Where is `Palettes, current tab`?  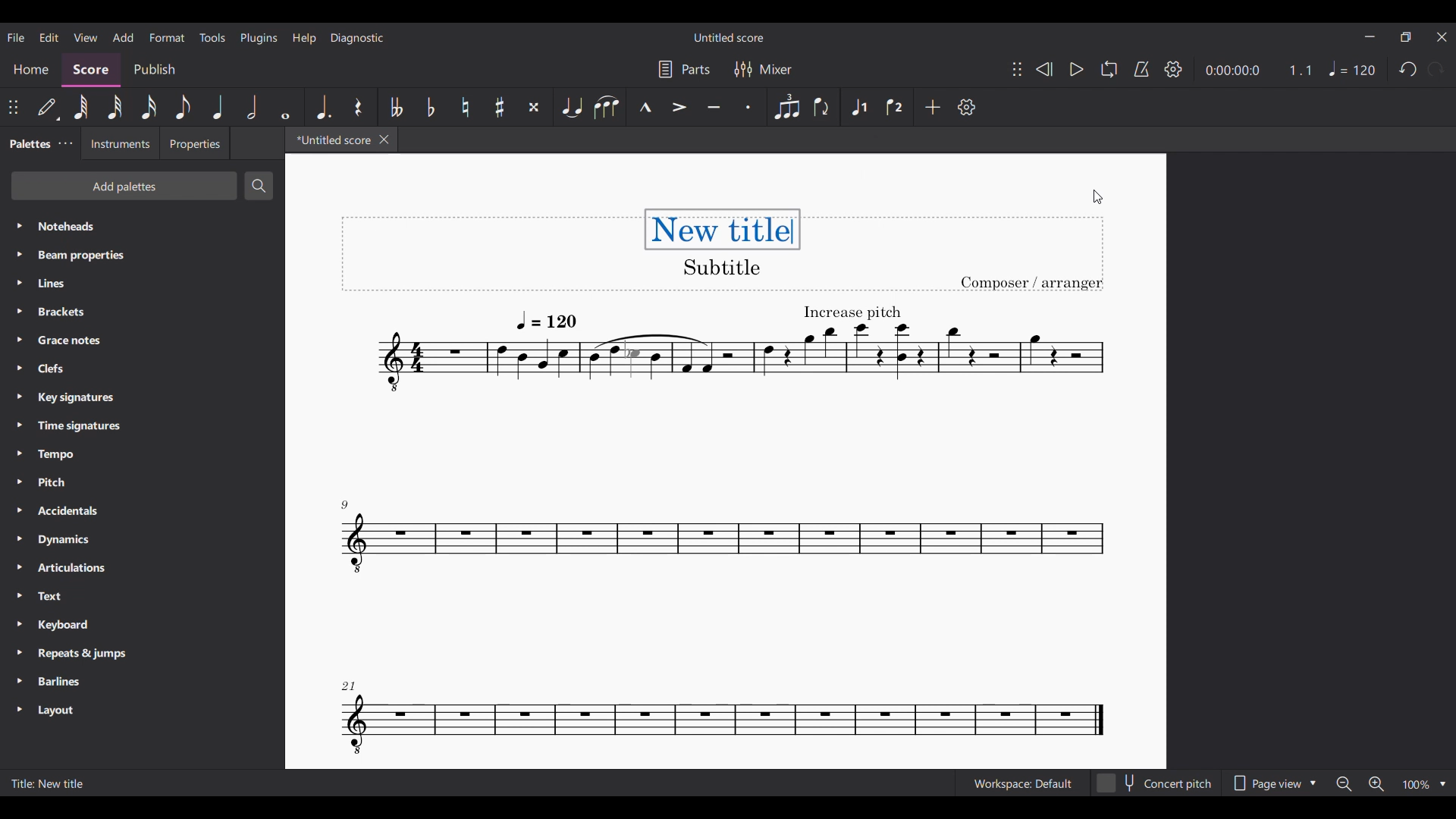 Palettes, current tab is located at coordinates (29, 144).